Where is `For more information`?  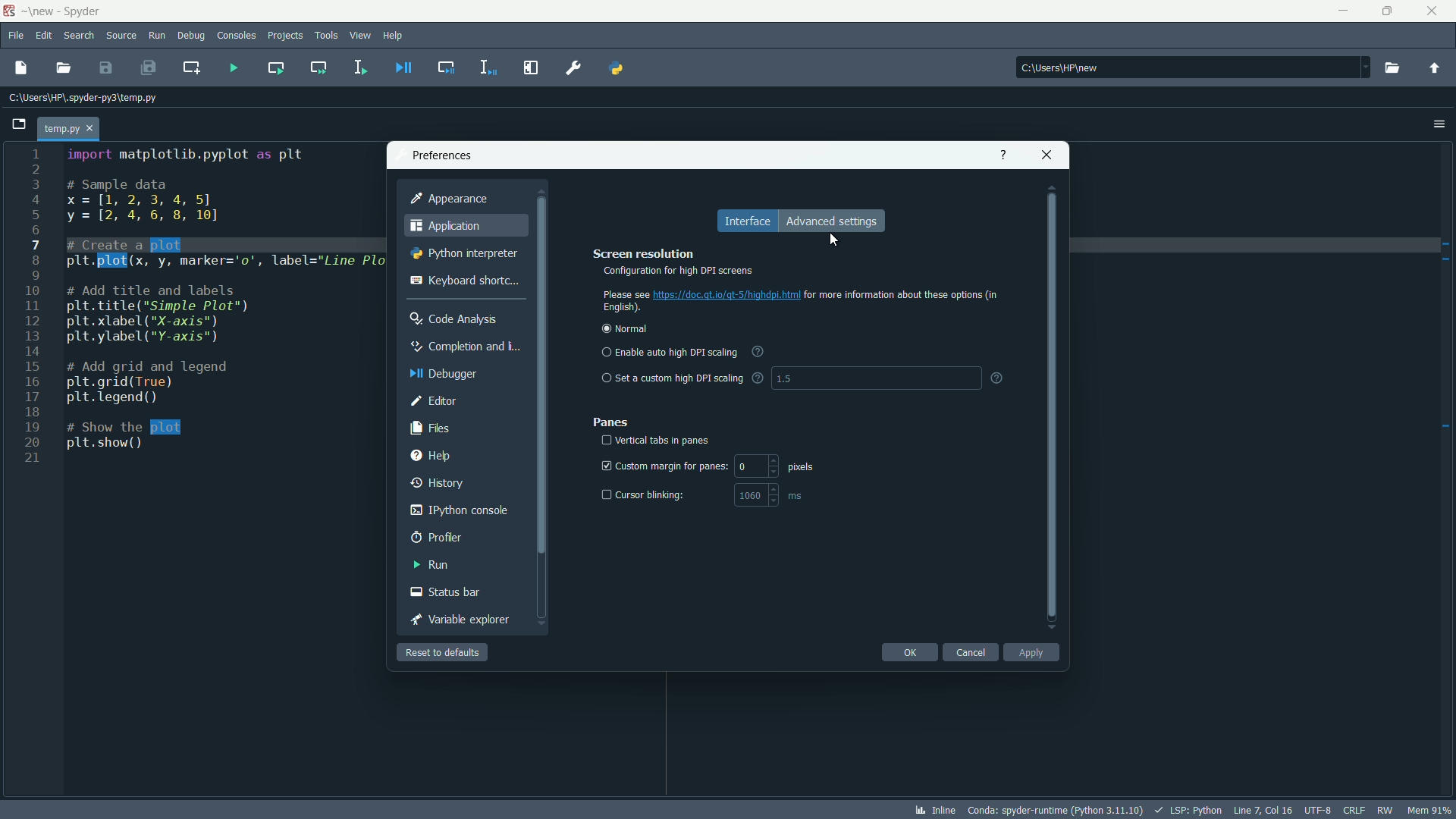 For more information is located at coordinates (904, 295).